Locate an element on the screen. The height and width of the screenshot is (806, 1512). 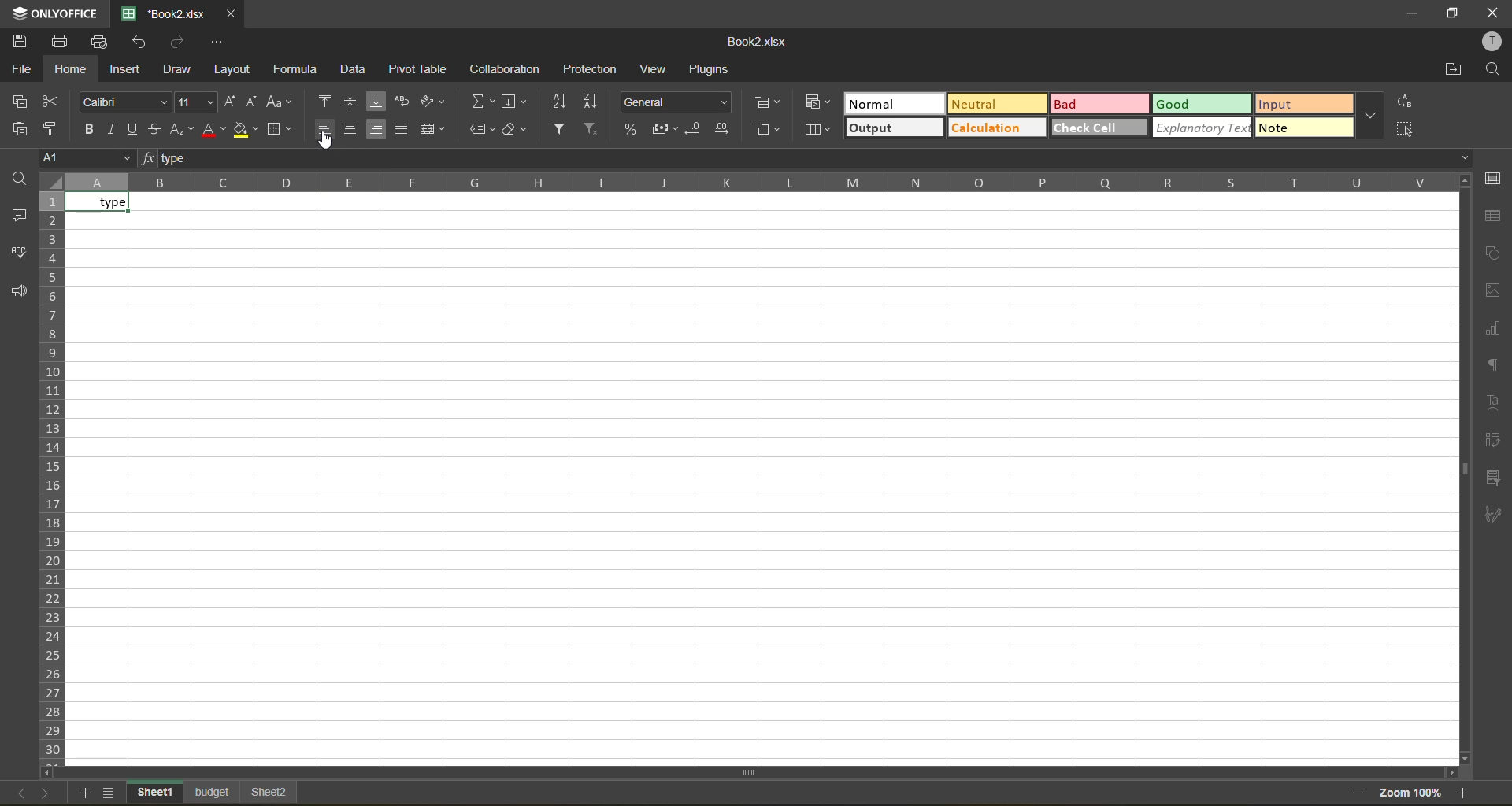
add sheet is located at coordinates (81, 792).